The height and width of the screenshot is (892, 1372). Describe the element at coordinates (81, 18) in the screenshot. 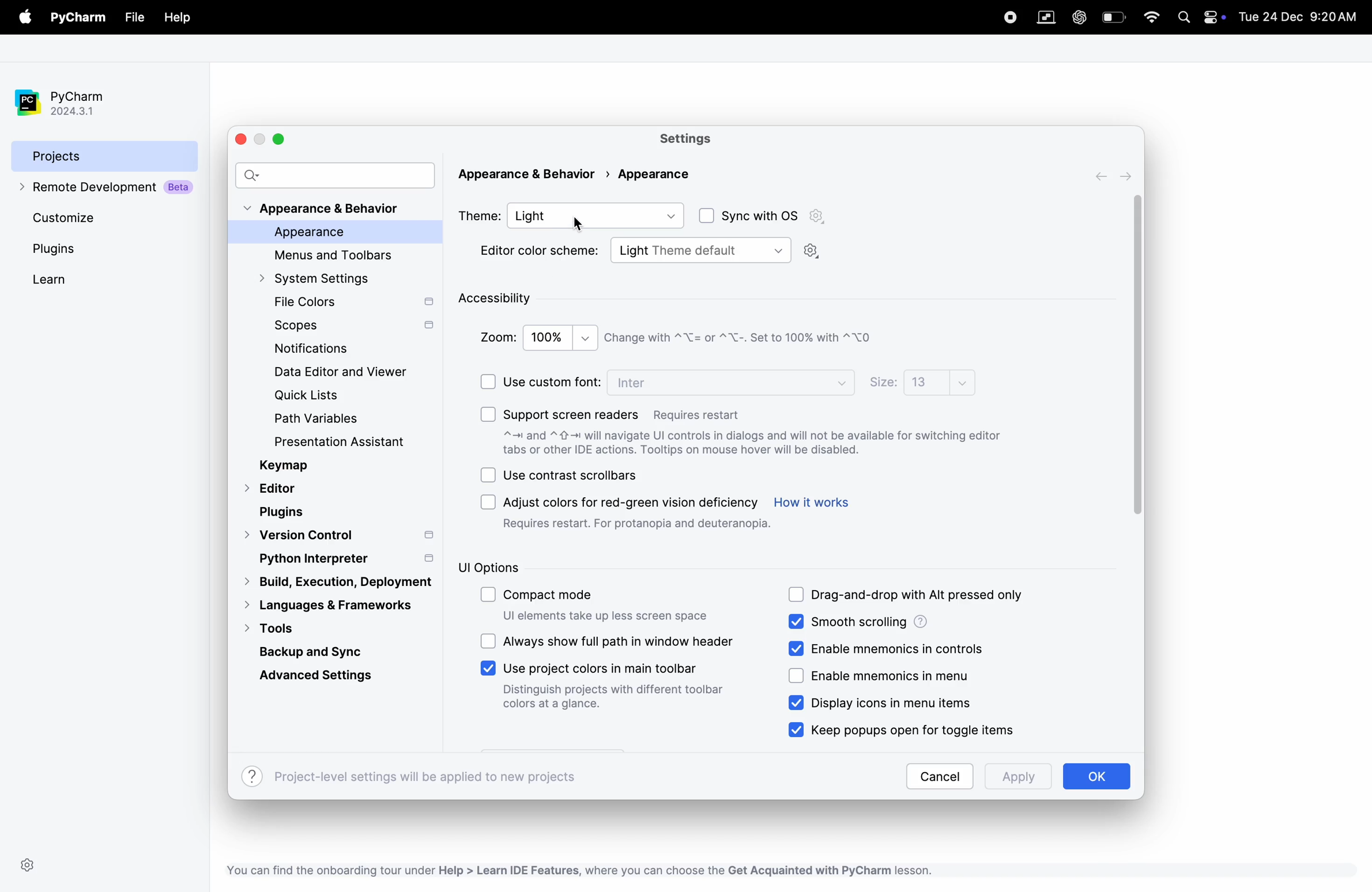

I see `pycharm` at that location.